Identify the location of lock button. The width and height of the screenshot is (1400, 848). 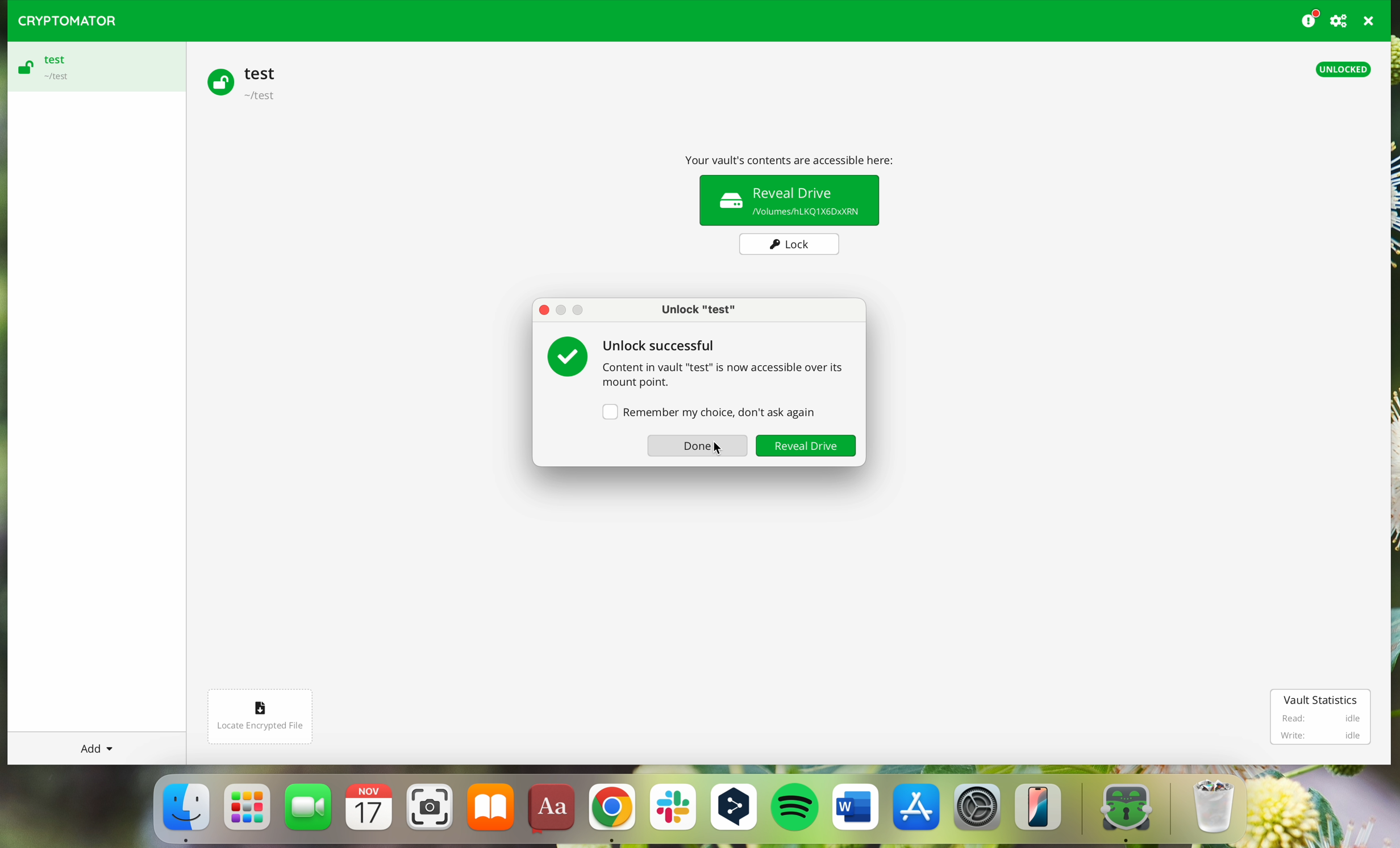
(791, 244).